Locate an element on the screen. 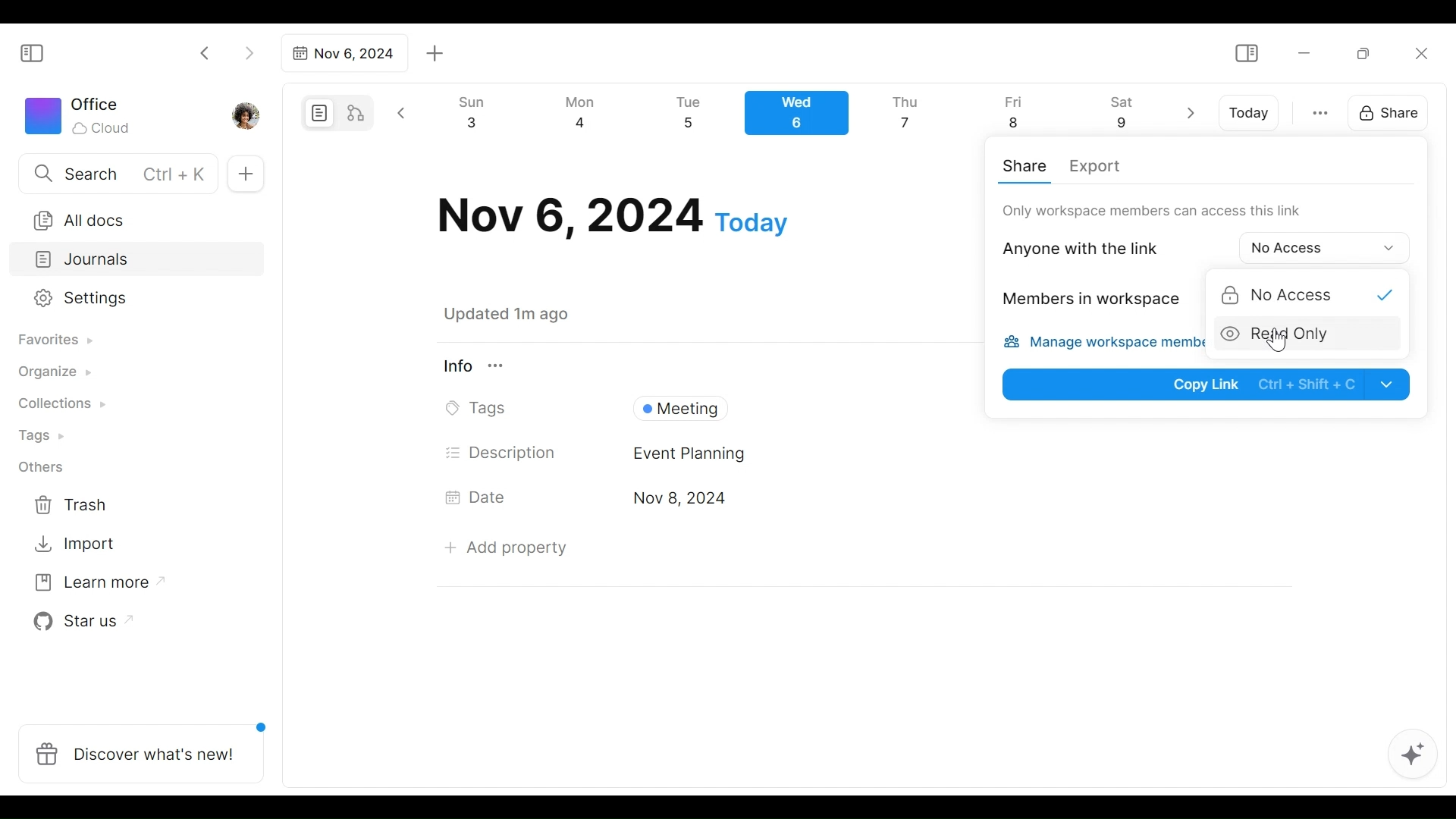 The height and width of the screenshot is (819, 1456). Restore is located at coordinates (1369, 52).